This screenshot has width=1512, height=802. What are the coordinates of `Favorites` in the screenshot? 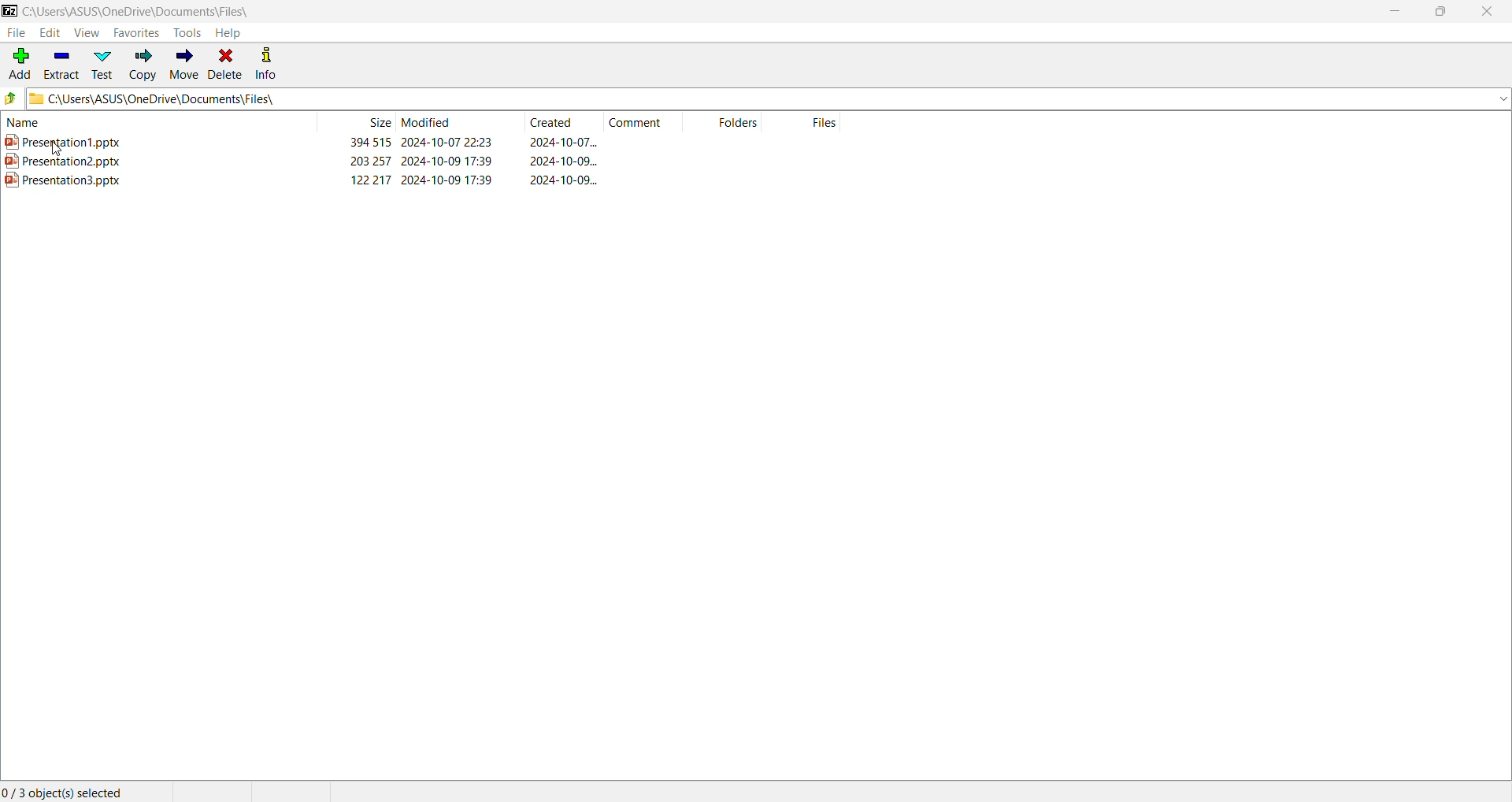 It's located at (135, 34).